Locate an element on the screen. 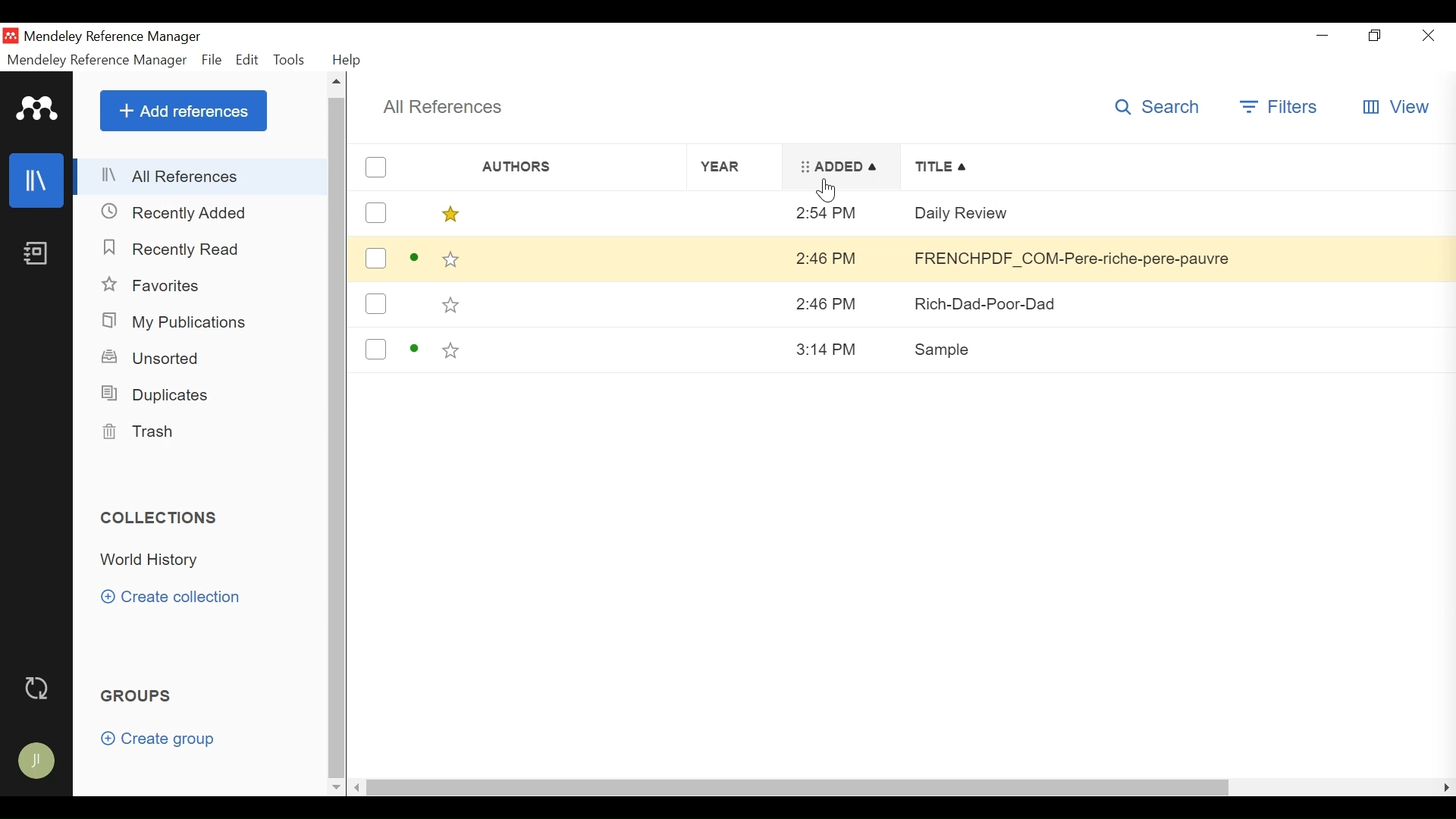 The image size is (1456, 819). Author is located at coordinates (554, 167).